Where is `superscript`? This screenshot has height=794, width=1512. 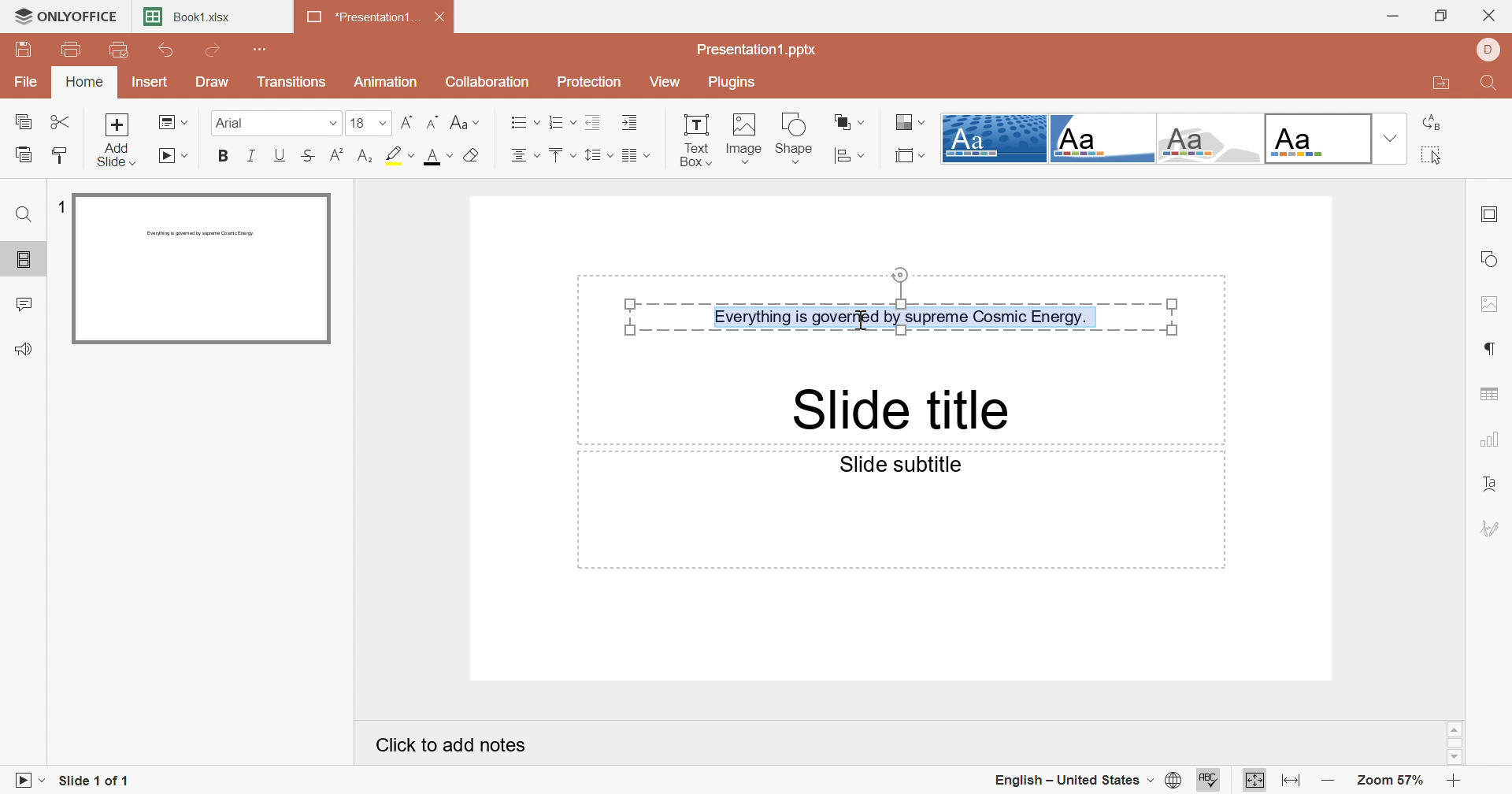 superscript is located at coordinates (335, 154).